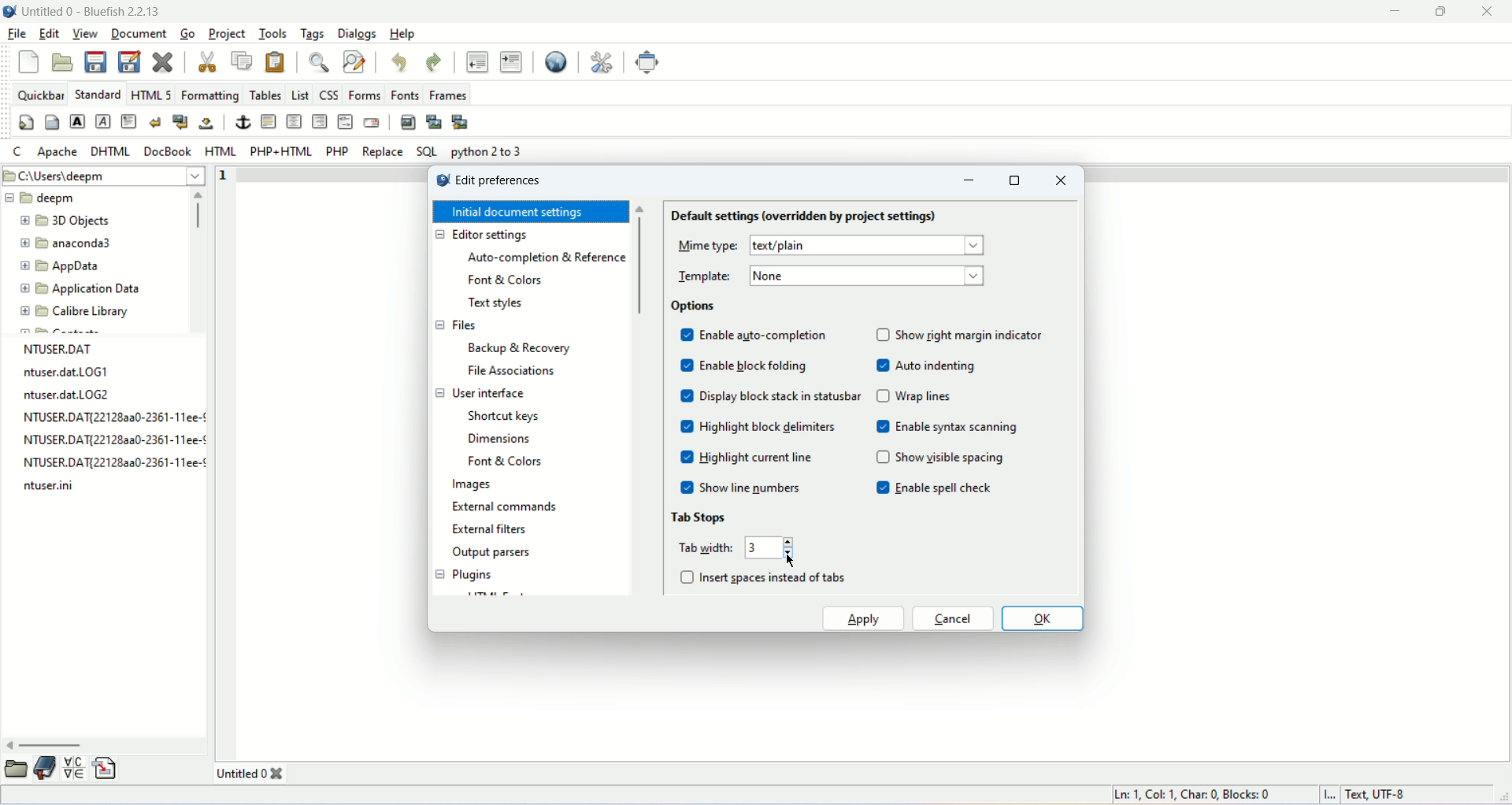  Describe the element at coordinates (479, 392) in the screenshot. I see `user interface` at that location.